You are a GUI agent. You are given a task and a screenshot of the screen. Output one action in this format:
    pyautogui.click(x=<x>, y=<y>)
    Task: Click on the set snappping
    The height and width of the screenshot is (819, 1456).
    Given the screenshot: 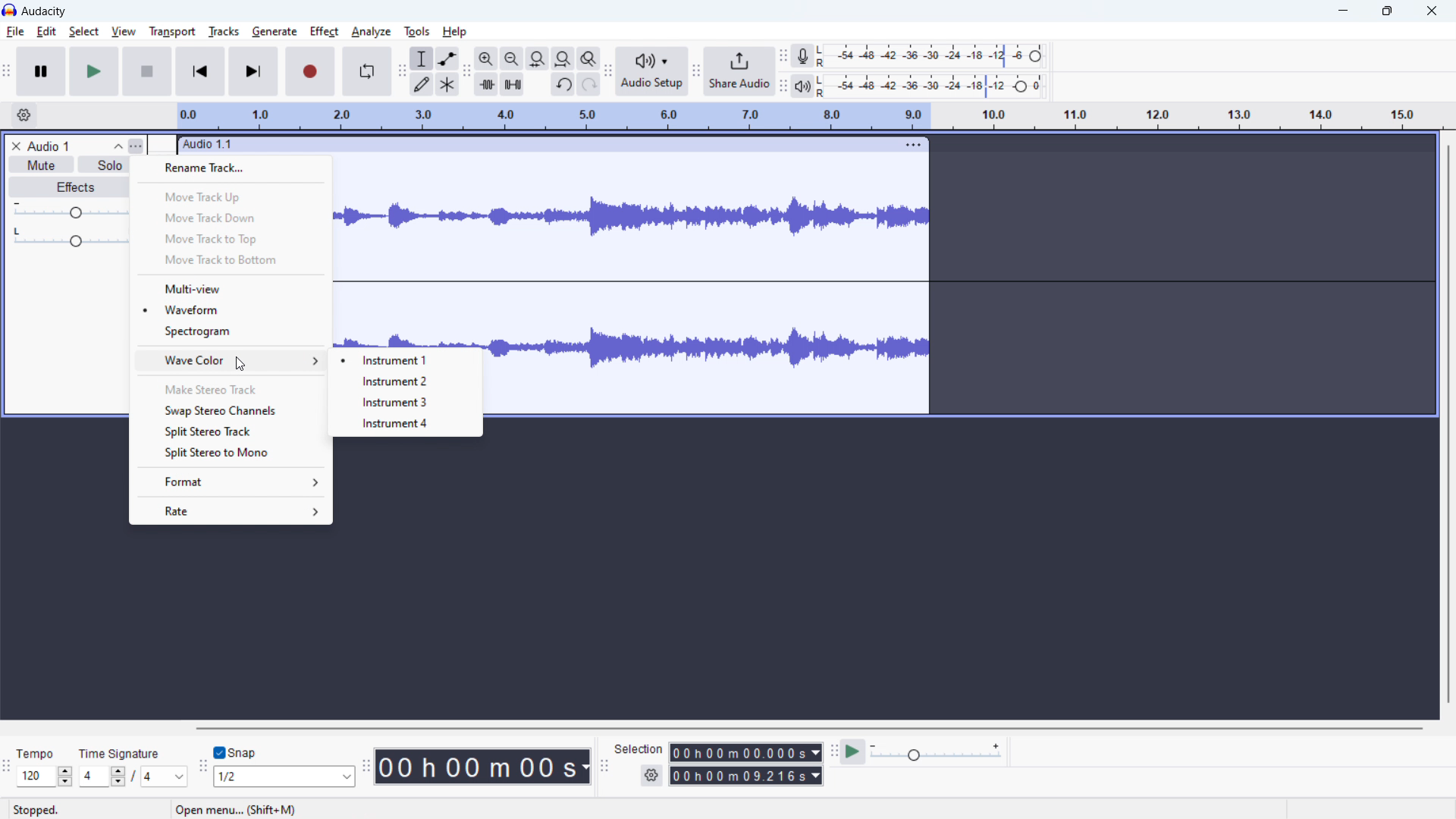 What is the action you would take?
    pyautogui.click(x=284, y=777)
    